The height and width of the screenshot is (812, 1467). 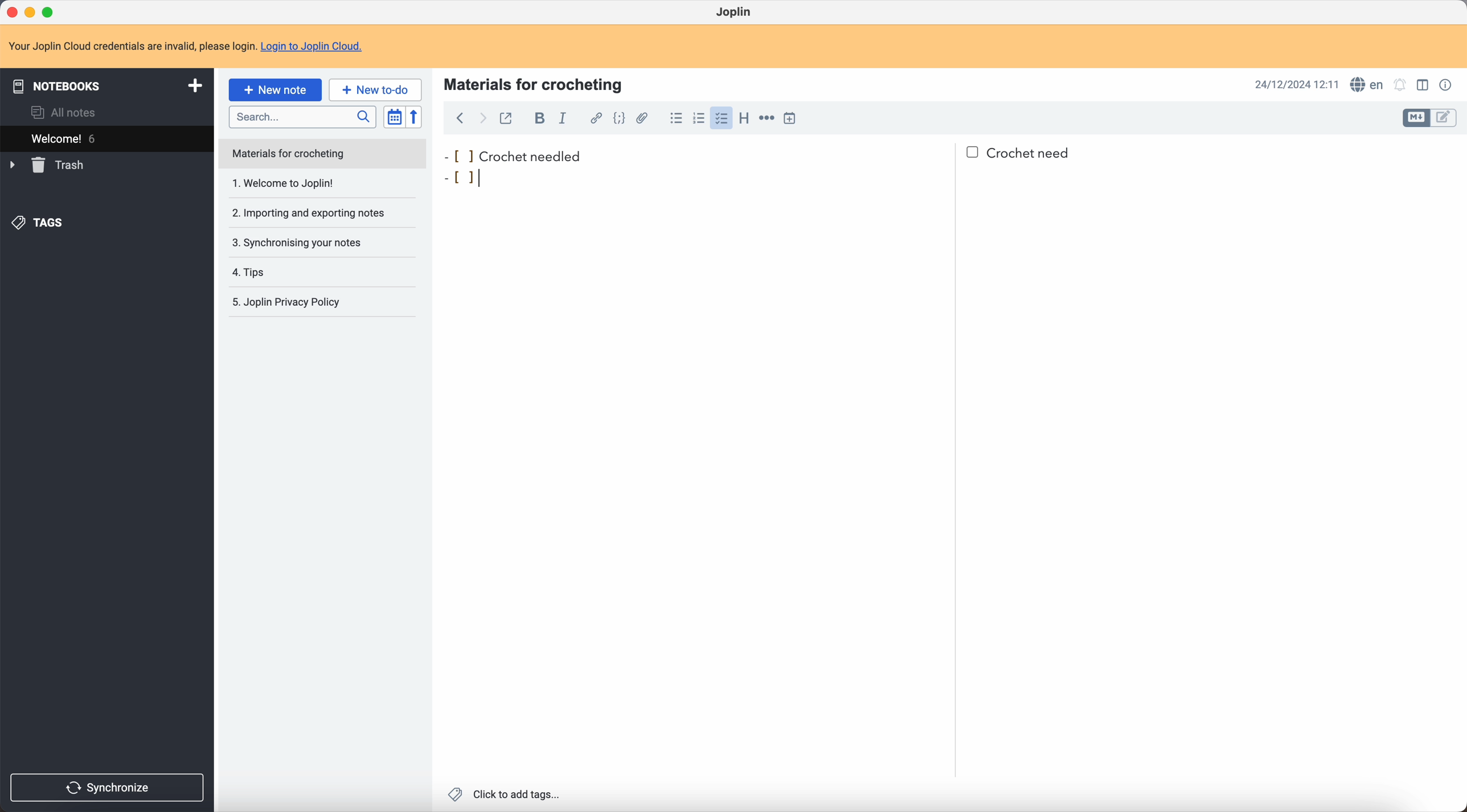 I want to click on notebooks, so click(x=105, y=84).